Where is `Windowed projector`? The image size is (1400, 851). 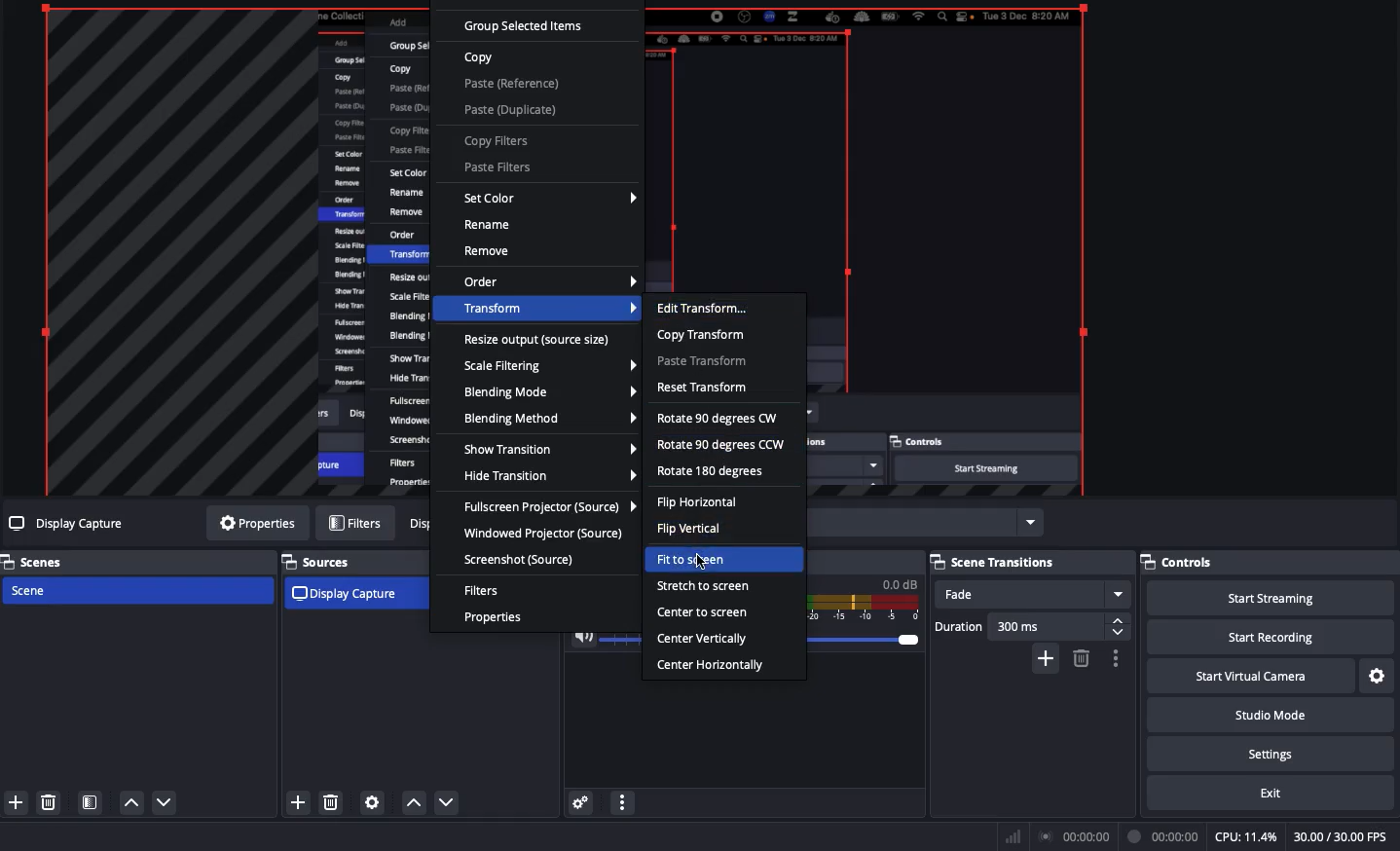
Windowed projector is located at coordinates (543, 536).